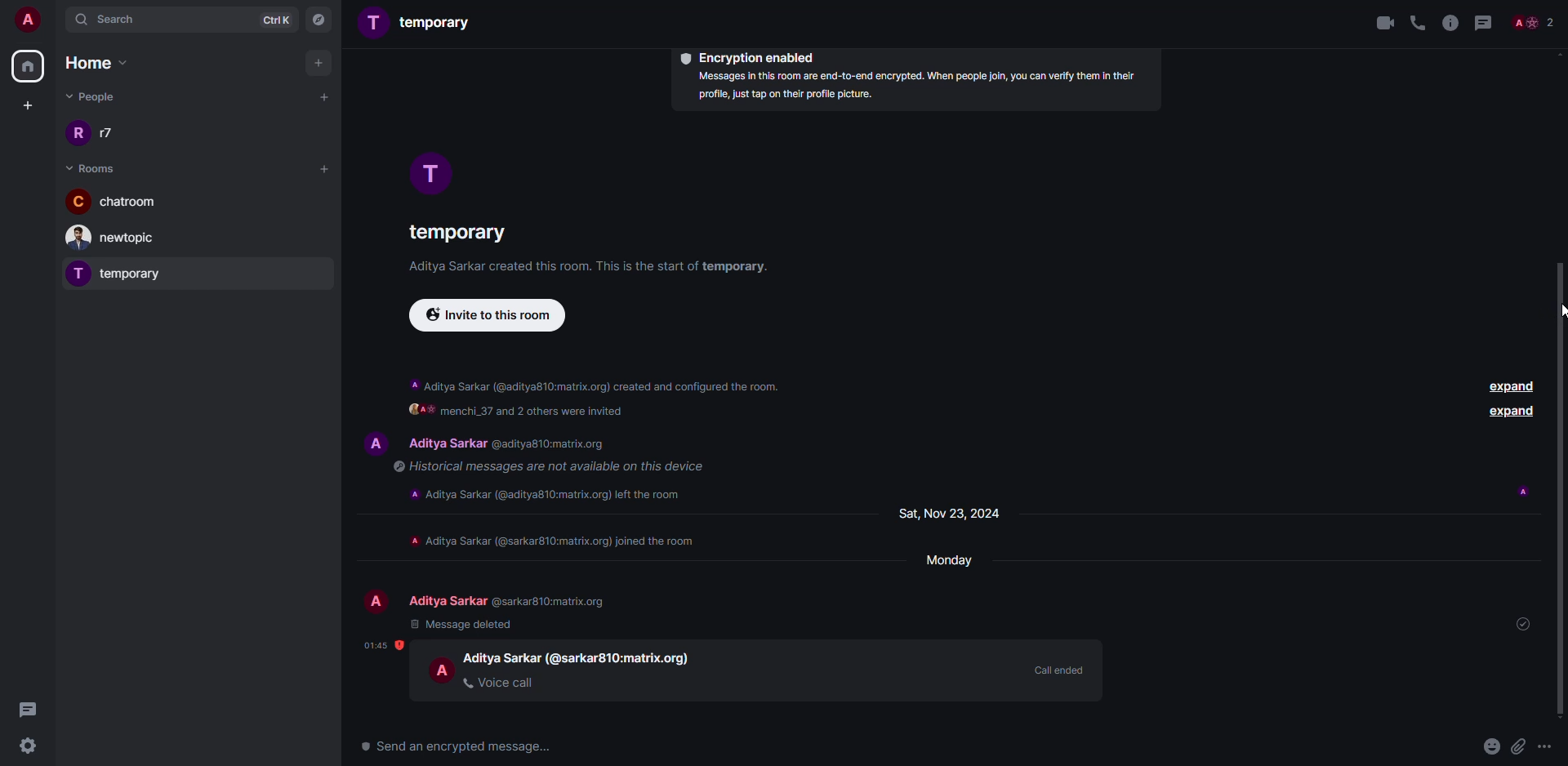 The width and height of the screenshot is (1568, 766). Describe the element at coordinates (28, 67) in the screenshot. I see `home` at that location.